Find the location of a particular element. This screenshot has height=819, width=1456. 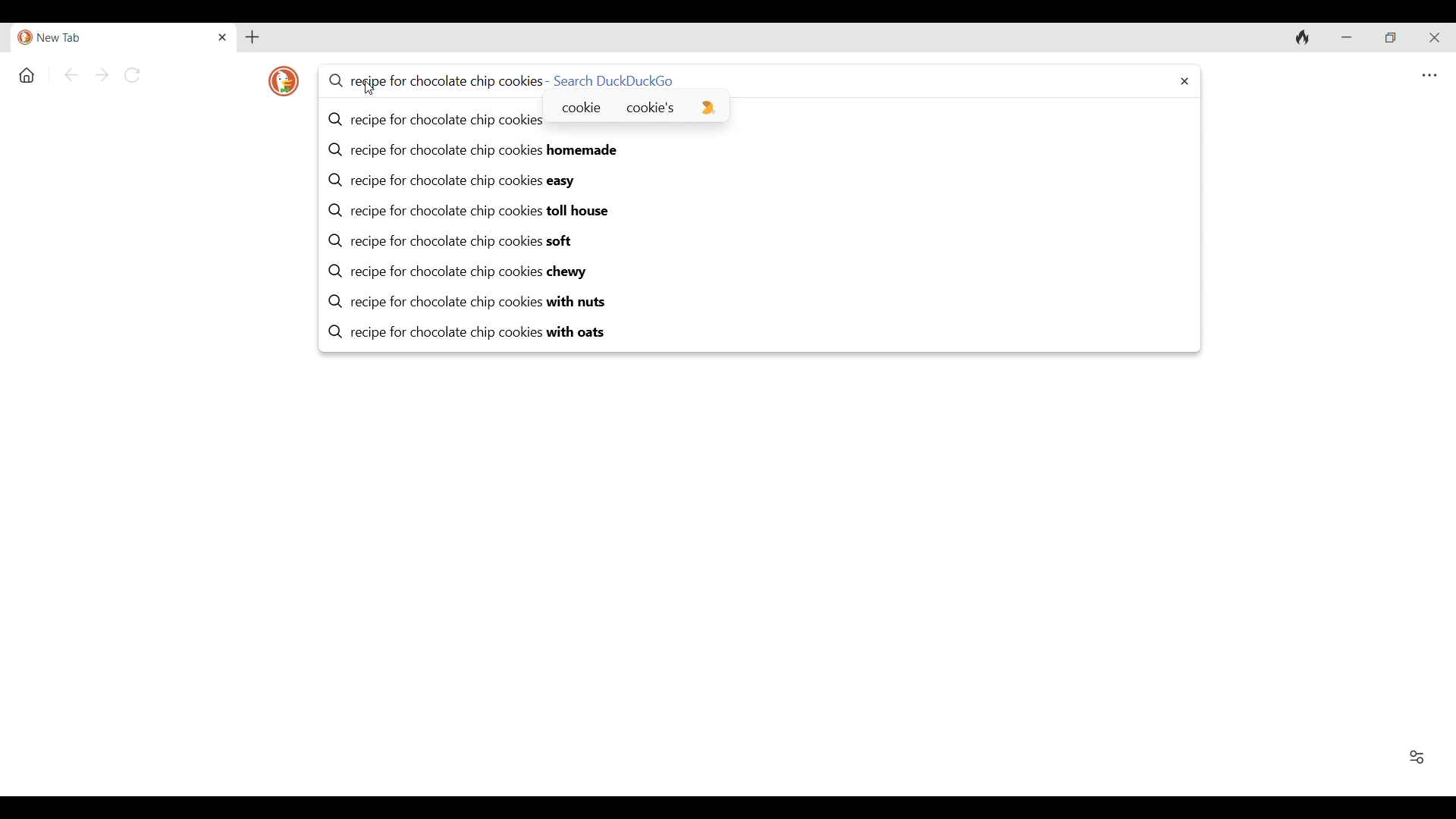

Search DuckDuckGo is located at coordinates (614, 80).